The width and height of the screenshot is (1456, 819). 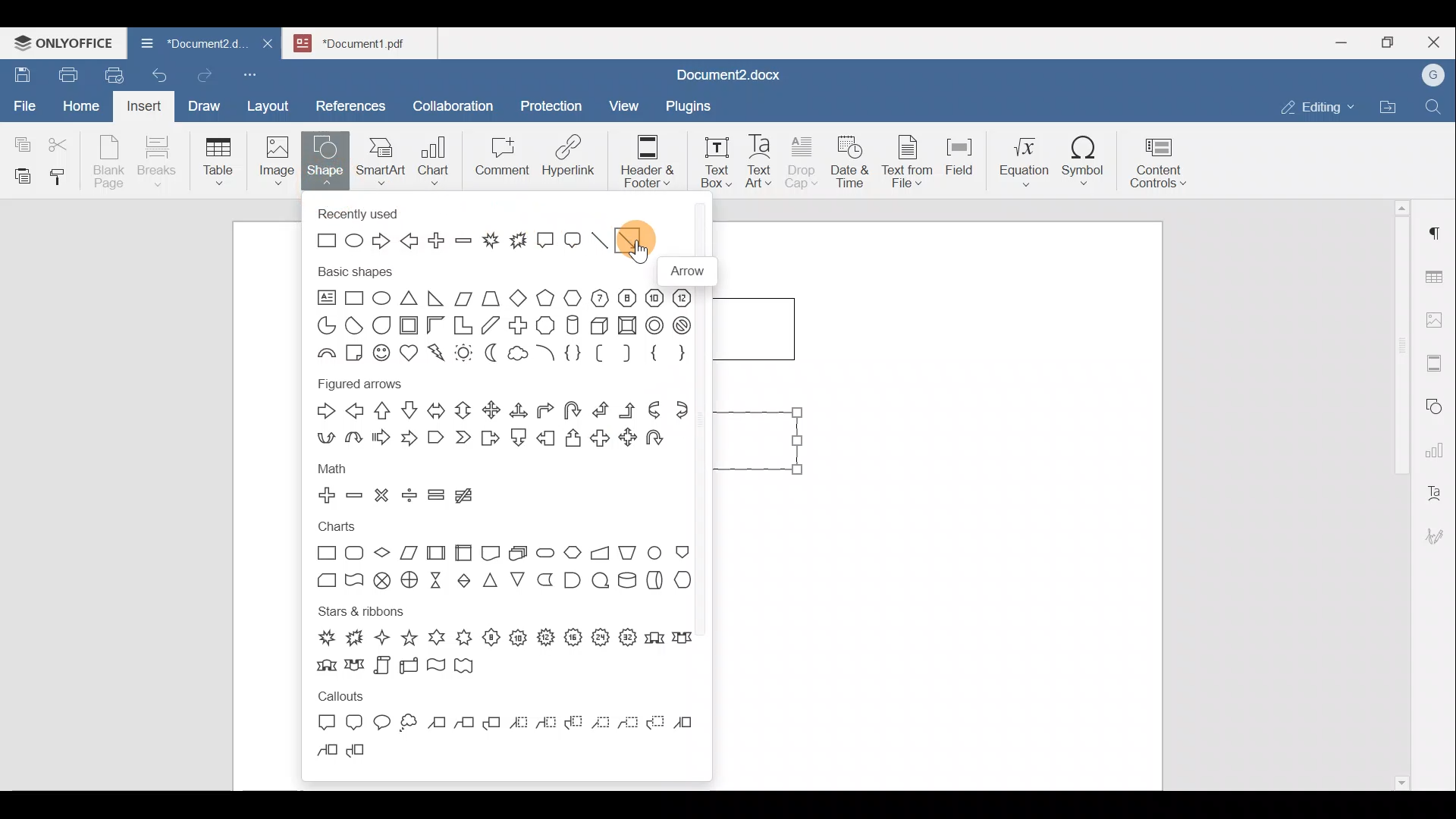 What do you see at coordinates (64, 42) in the screenshot?
I see `ONLYOFFICE` at bounding box center [64, 42].